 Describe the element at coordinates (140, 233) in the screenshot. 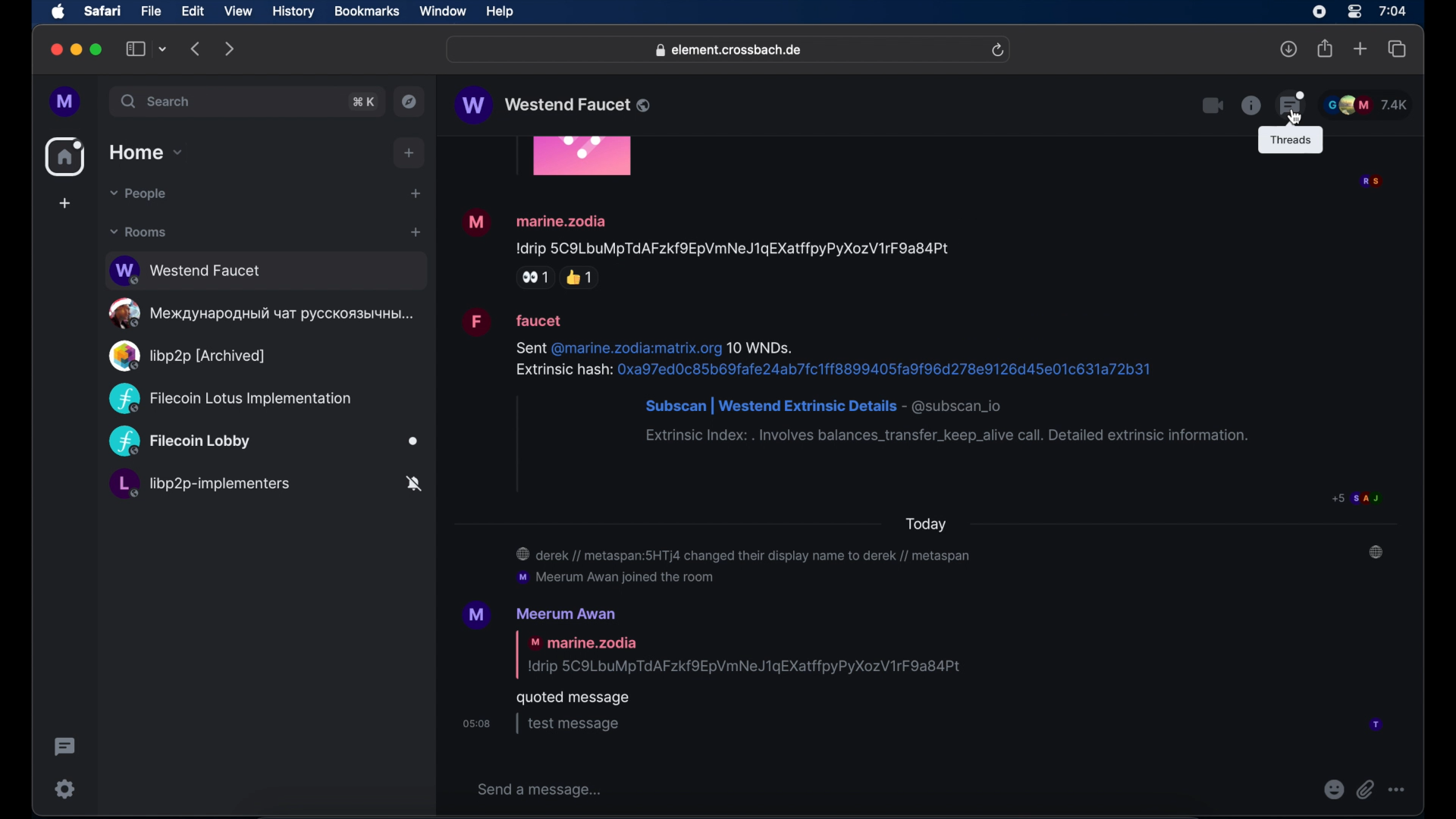

I see `rooms dropdown` at that location.